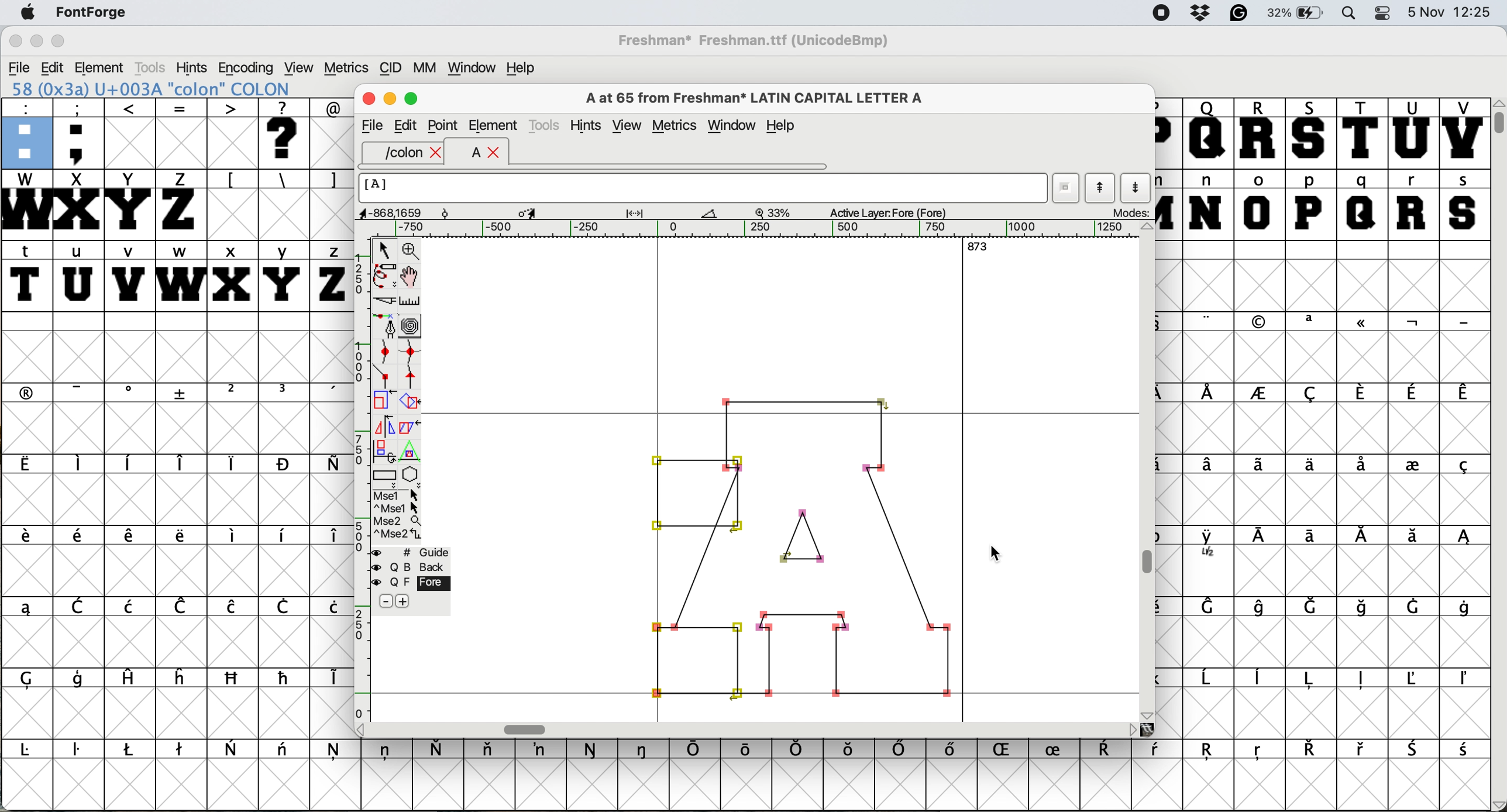  Describe the element at coordinates (29, 392) in the screenshot. I see `symbol` at that location.